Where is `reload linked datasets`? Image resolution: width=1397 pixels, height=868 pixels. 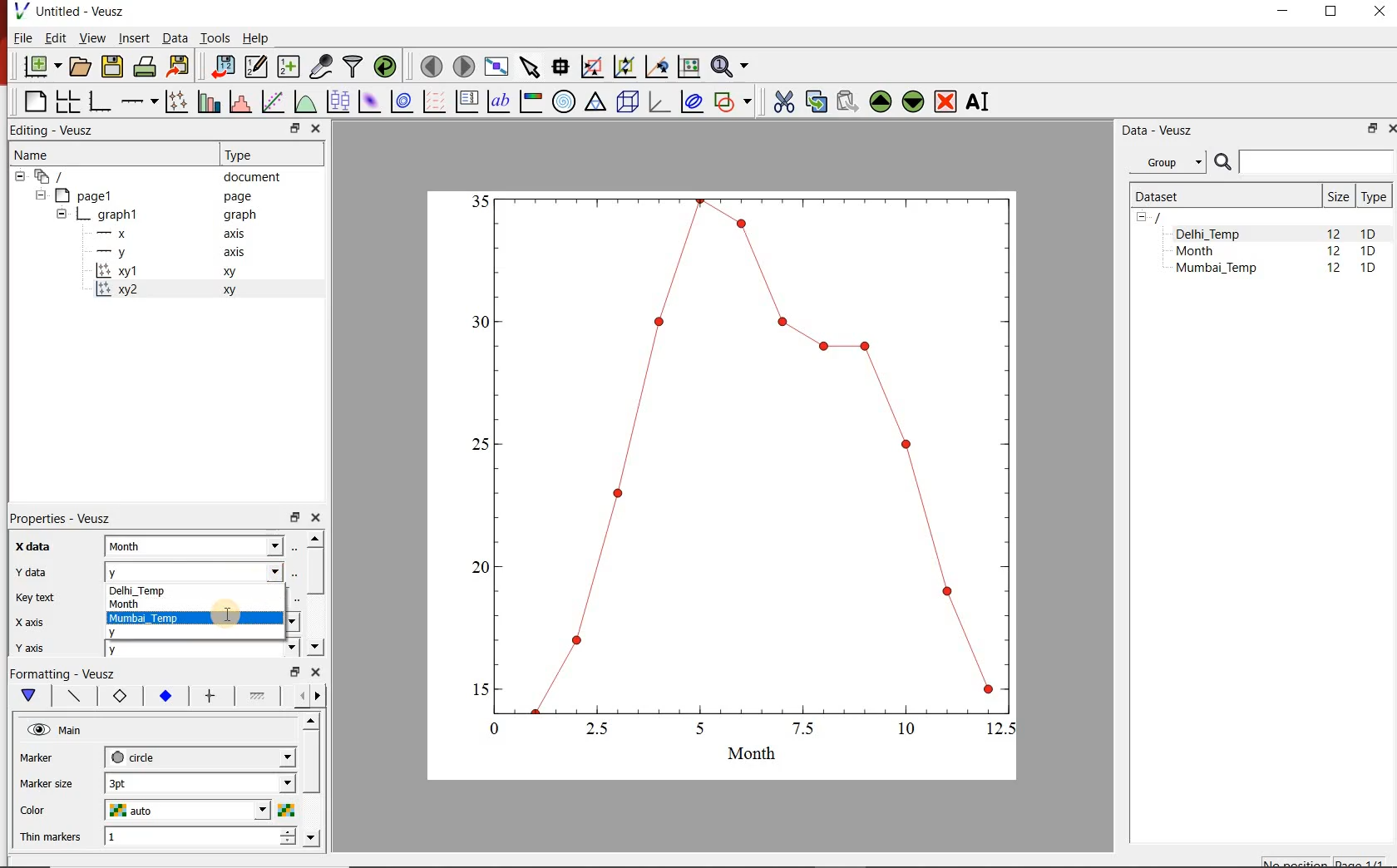
reload linked datasets is located at coordinates (385, 65).